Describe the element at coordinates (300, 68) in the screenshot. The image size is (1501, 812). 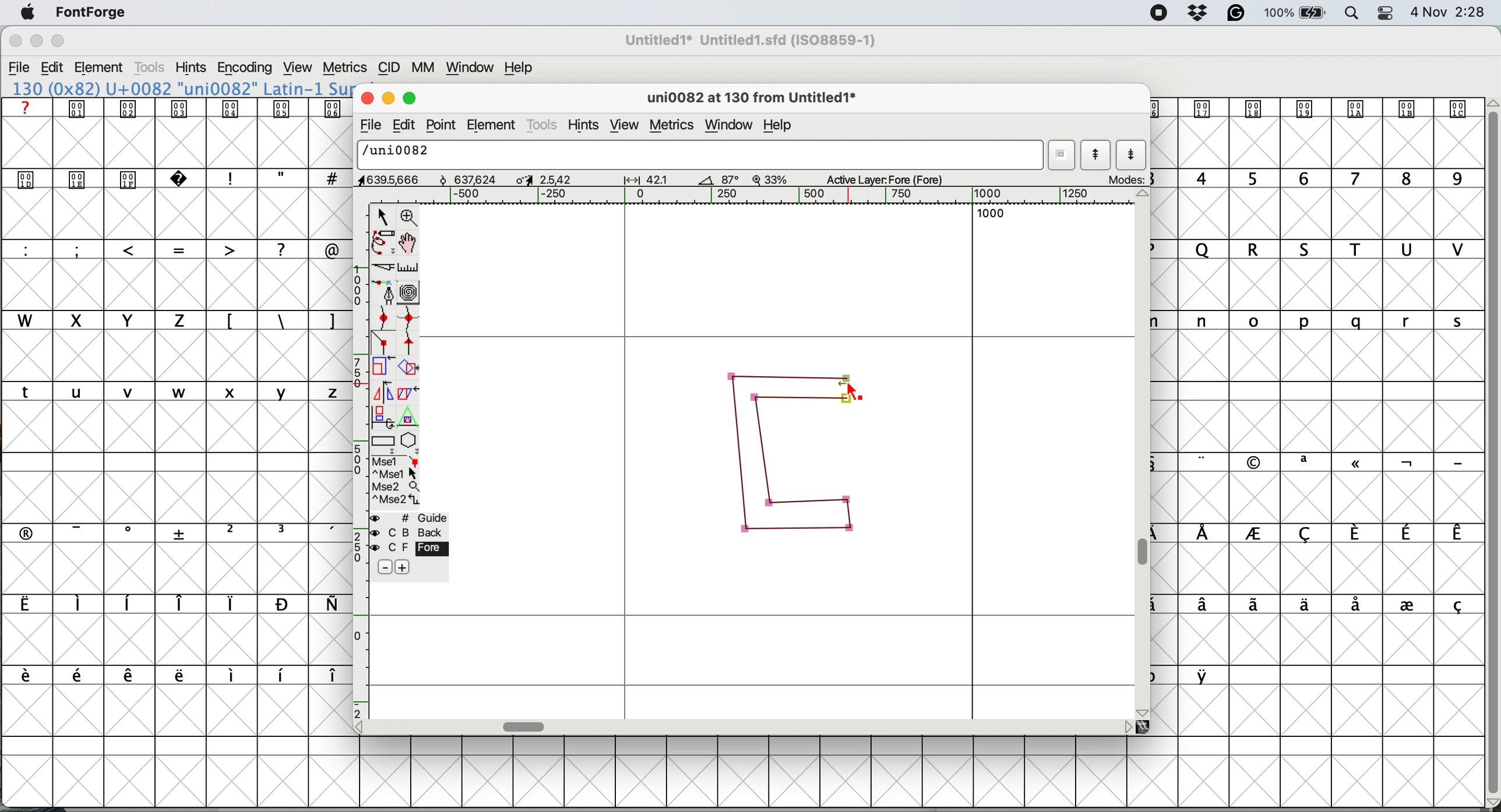
I see `view` at that location.